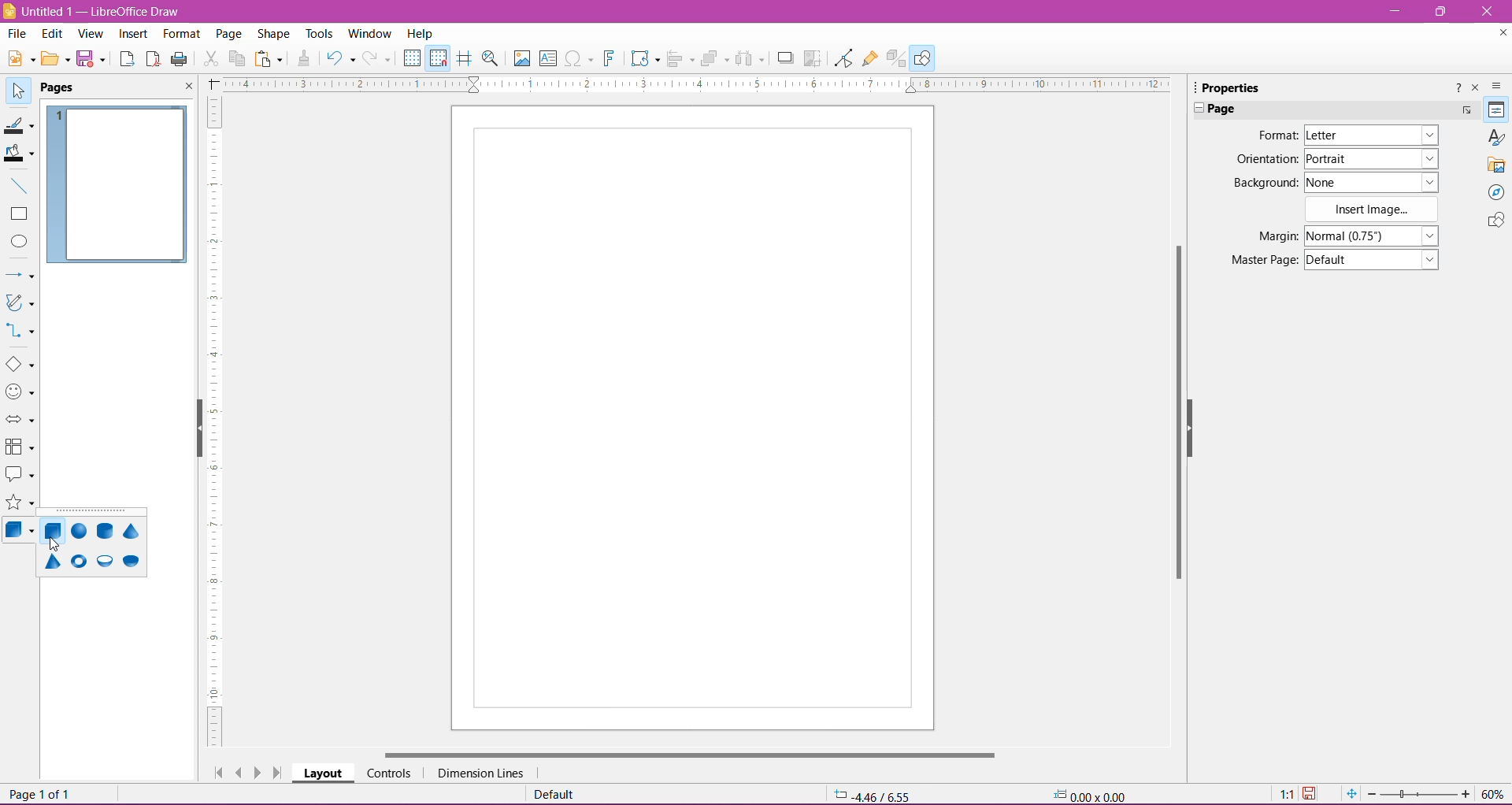 This screenshot has width=1512, height=805. Describe the element at coordinates (687, 755) in the screenshot. I see `Horizontal Scroll Bar` at that location.